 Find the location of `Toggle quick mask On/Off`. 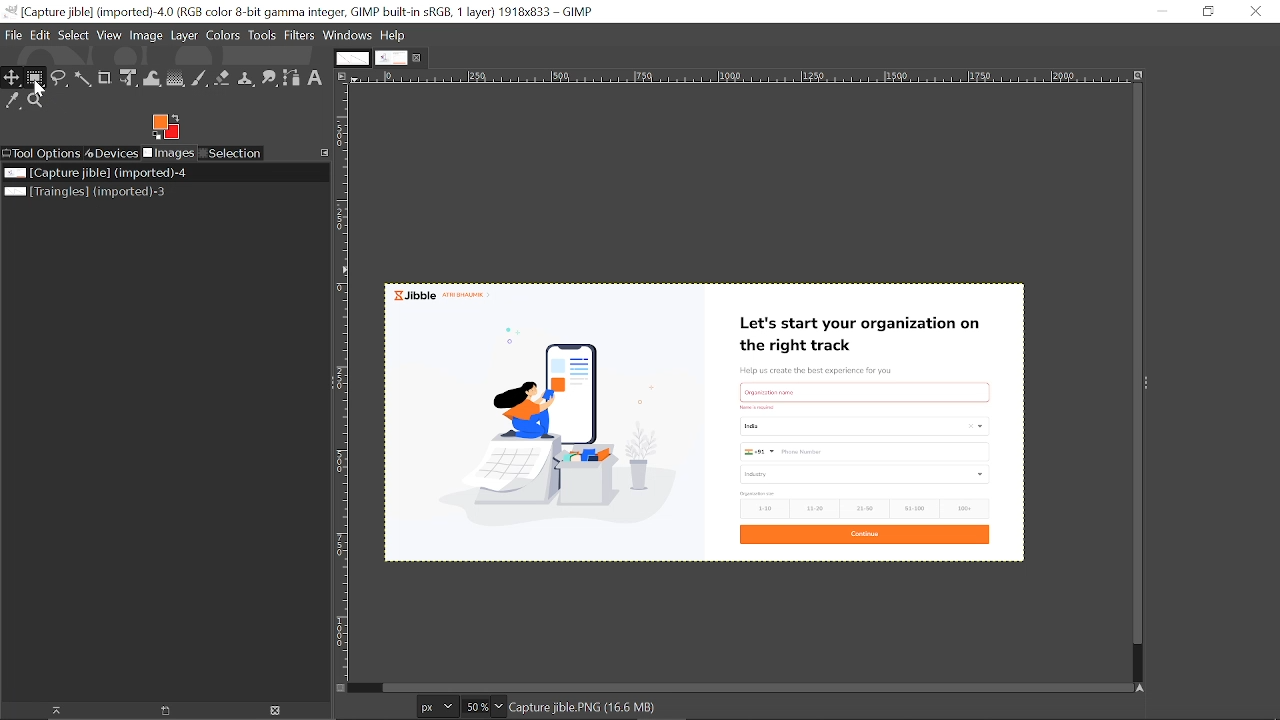

Toggle quick mask On/Off is located at coordinates (341, 688).